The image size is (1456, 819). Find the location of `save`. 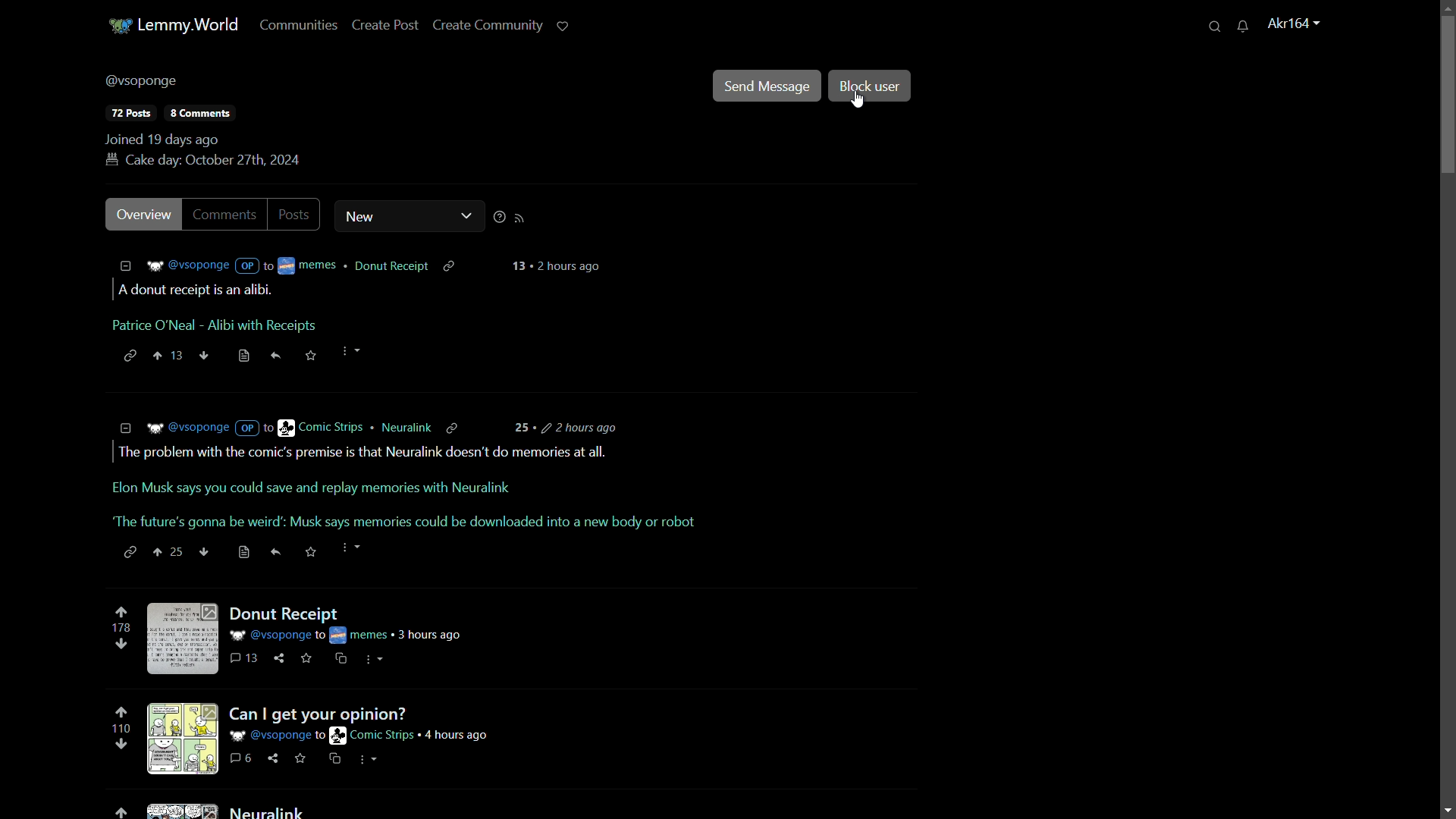

save is located at coordinates (311, 355).